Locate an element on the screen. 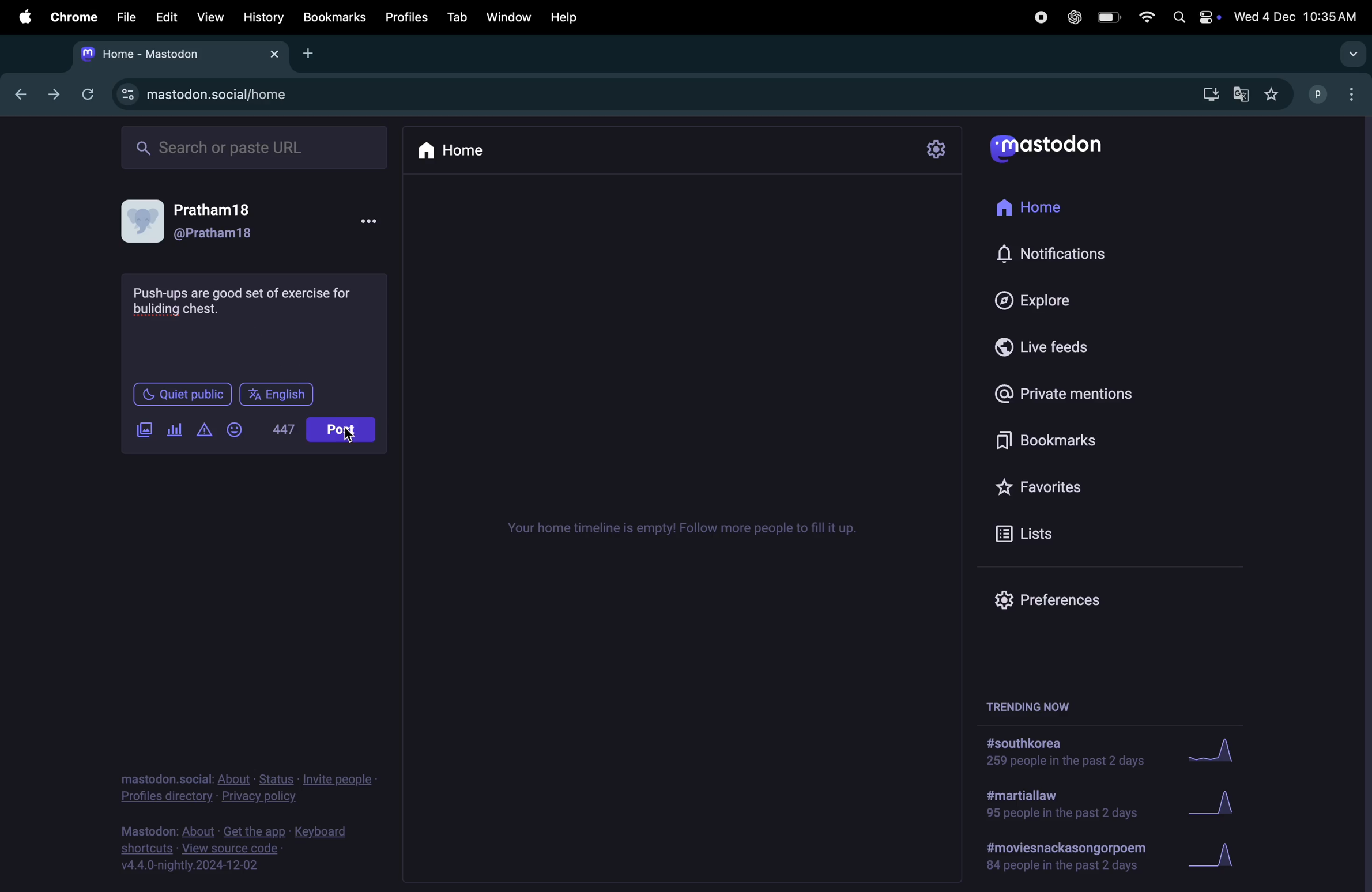 The height and width of the screenshot is (892, 1372). Martial Law is located at coordinates (1057, 806).